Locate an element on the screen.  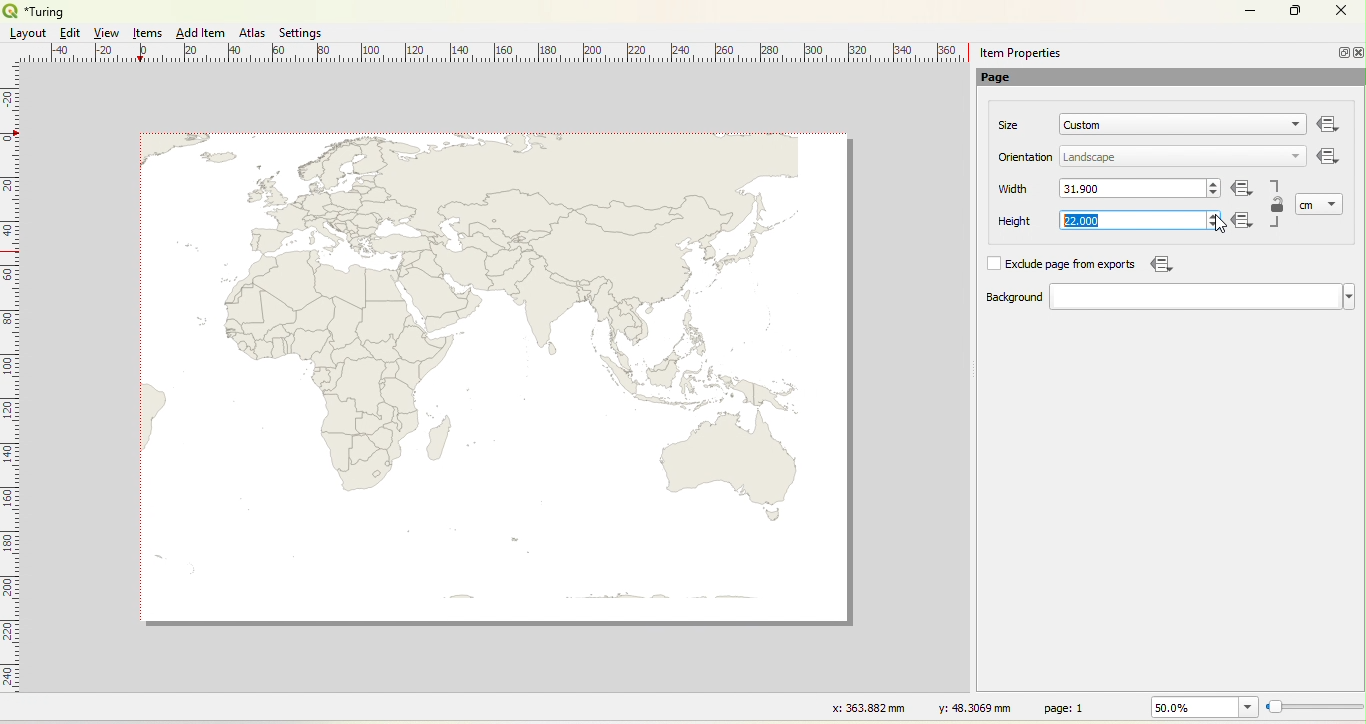
Orientation is located at coordinates (1027, 157).